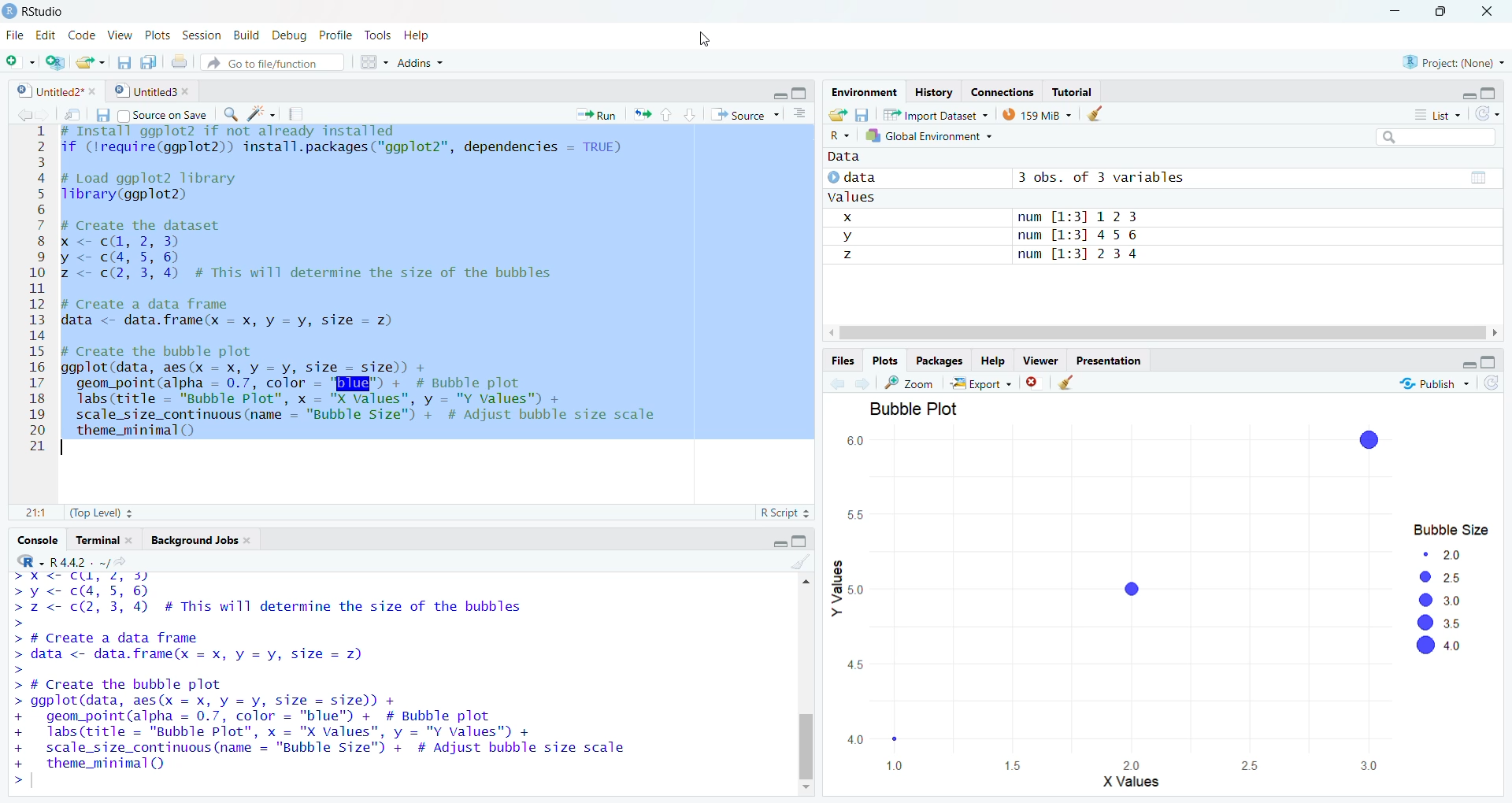 This screenshot has height=803, width=1512. I want to click on save all documents, so click(124, 59).